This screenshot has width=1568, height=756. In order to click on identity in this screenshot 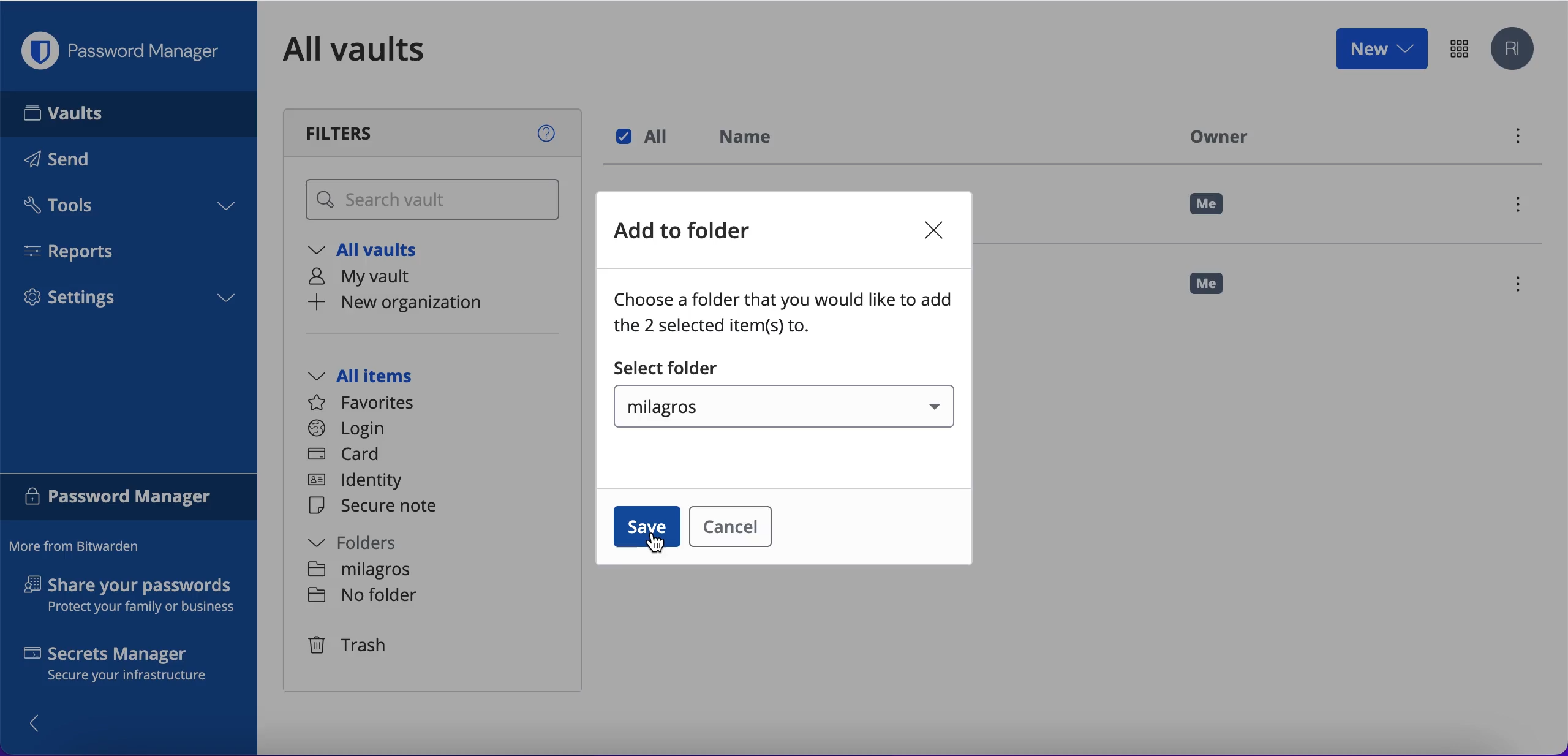, I will do `click(361, 481)`.